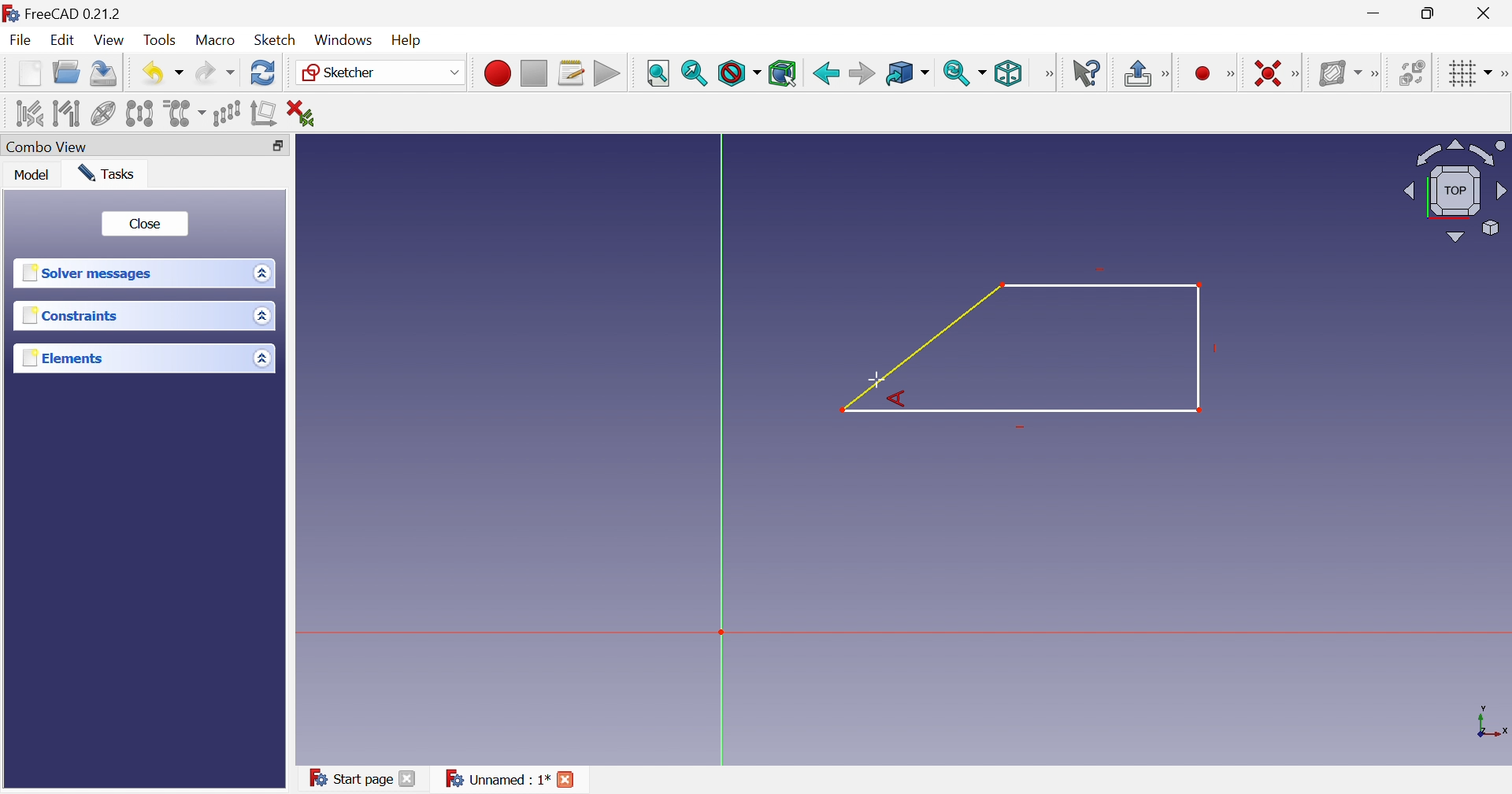  Describe the element at coordinates (928, 73) in the screenshot. I see `Drop Down` at that location.